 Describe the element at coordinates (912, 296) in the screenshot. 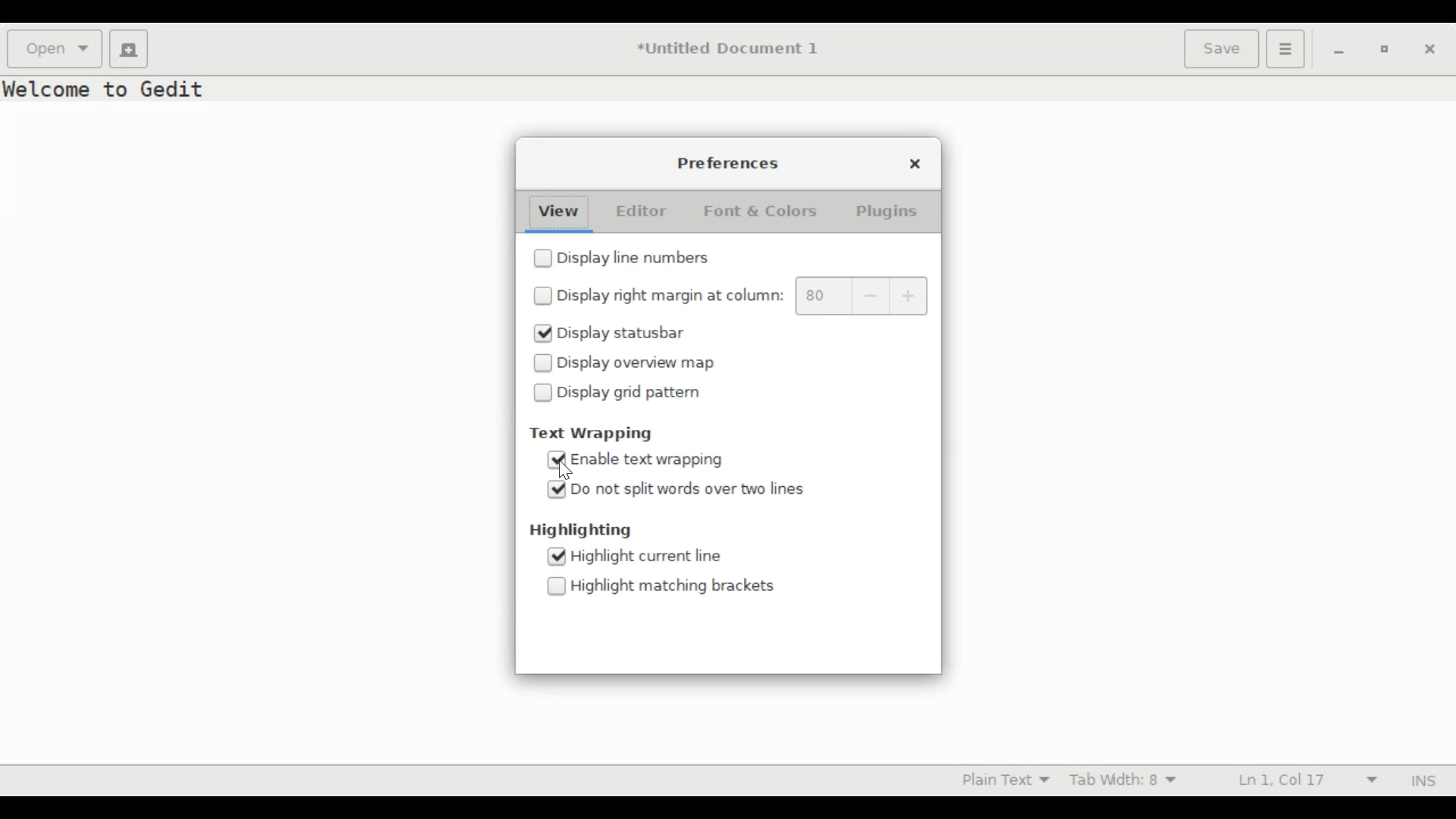

I see `increase` at that location.